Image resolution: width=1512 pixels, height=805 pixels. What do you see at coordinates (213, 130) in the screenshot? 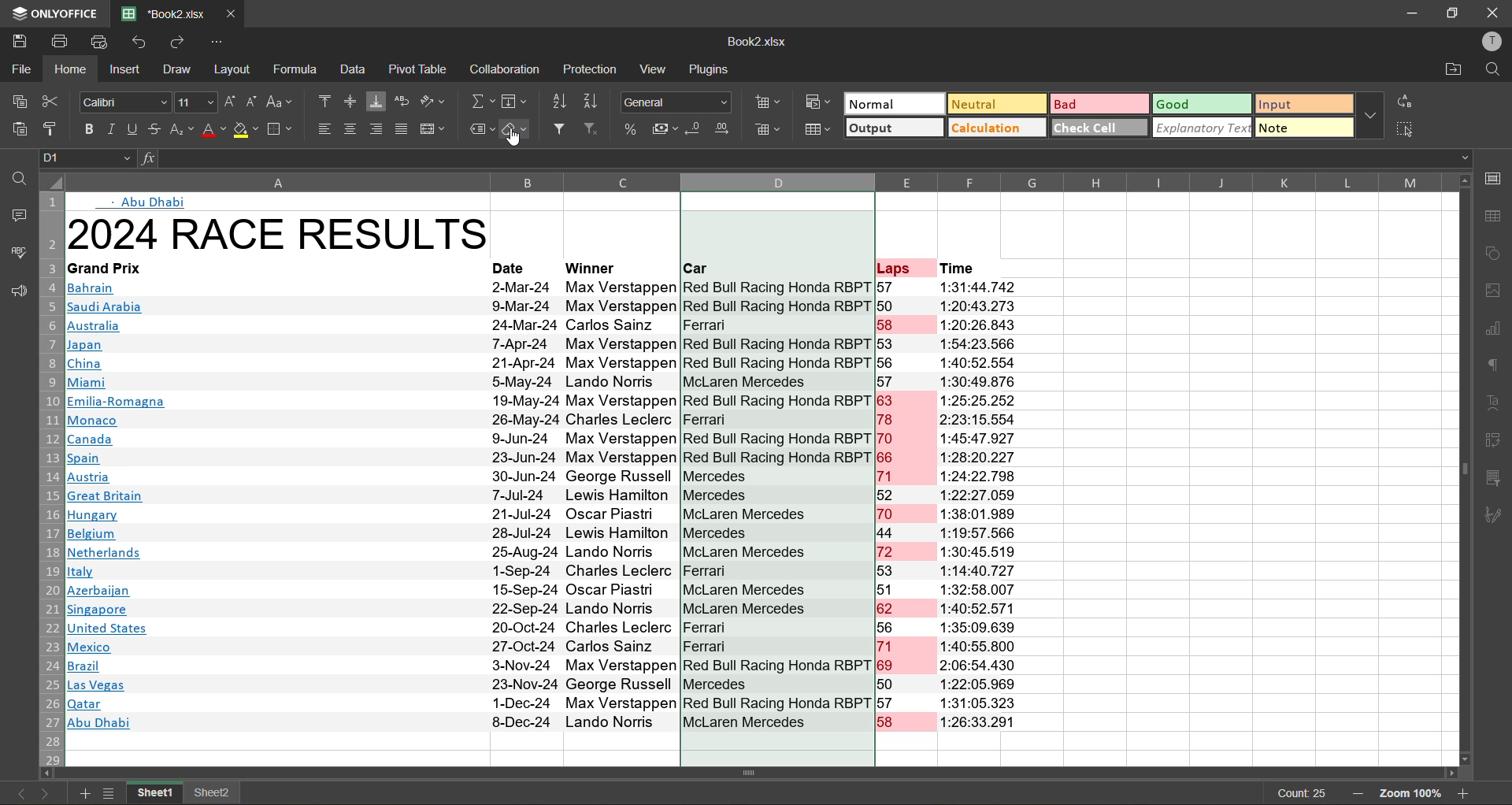
I see `font color` at bounding box center [213, 130].